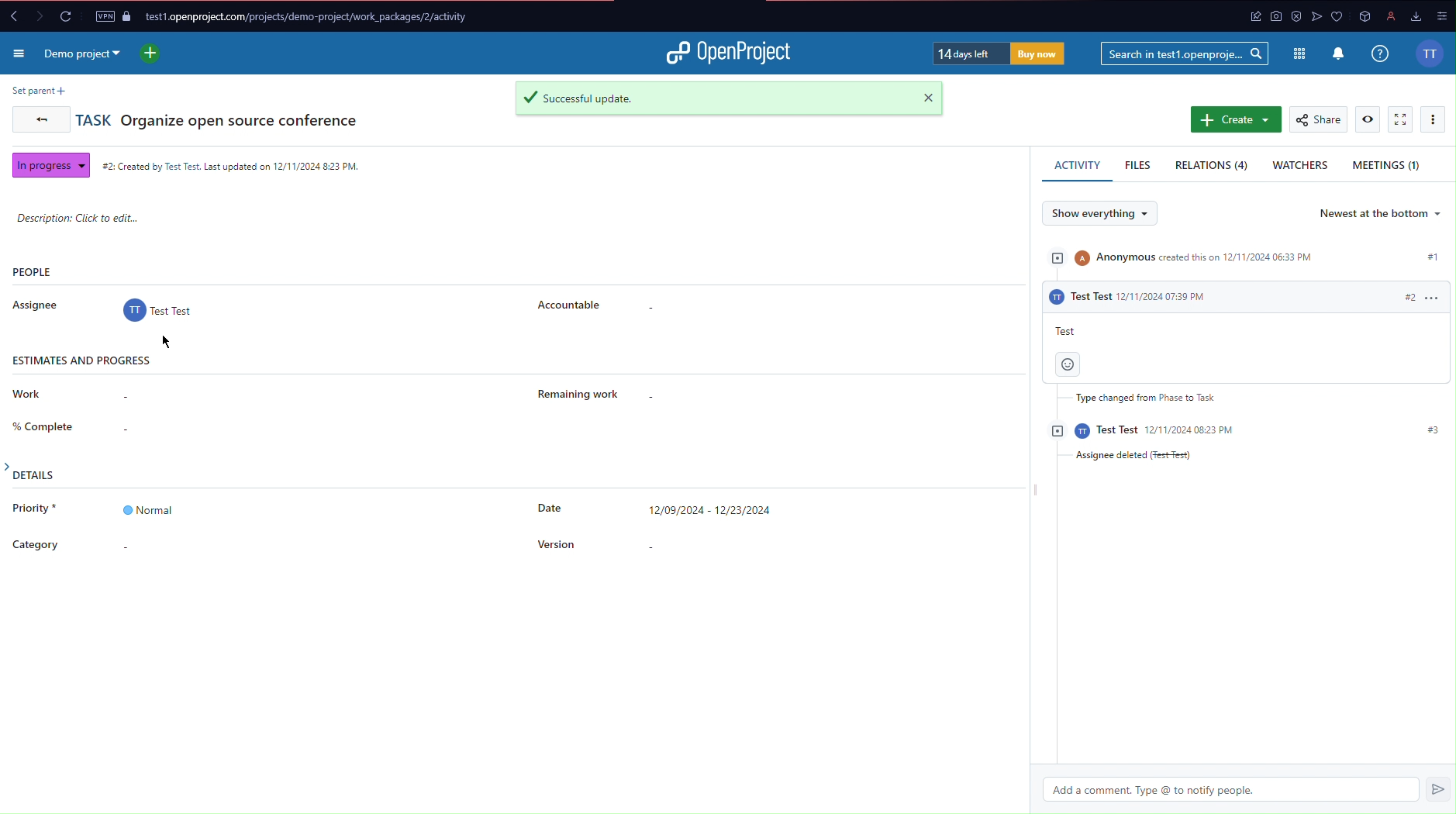 The width and height of the screenshot is (1456, 814). Describe the element at coordinates (576, 392) in the screenshot. I see `Remaining Work` at that location.